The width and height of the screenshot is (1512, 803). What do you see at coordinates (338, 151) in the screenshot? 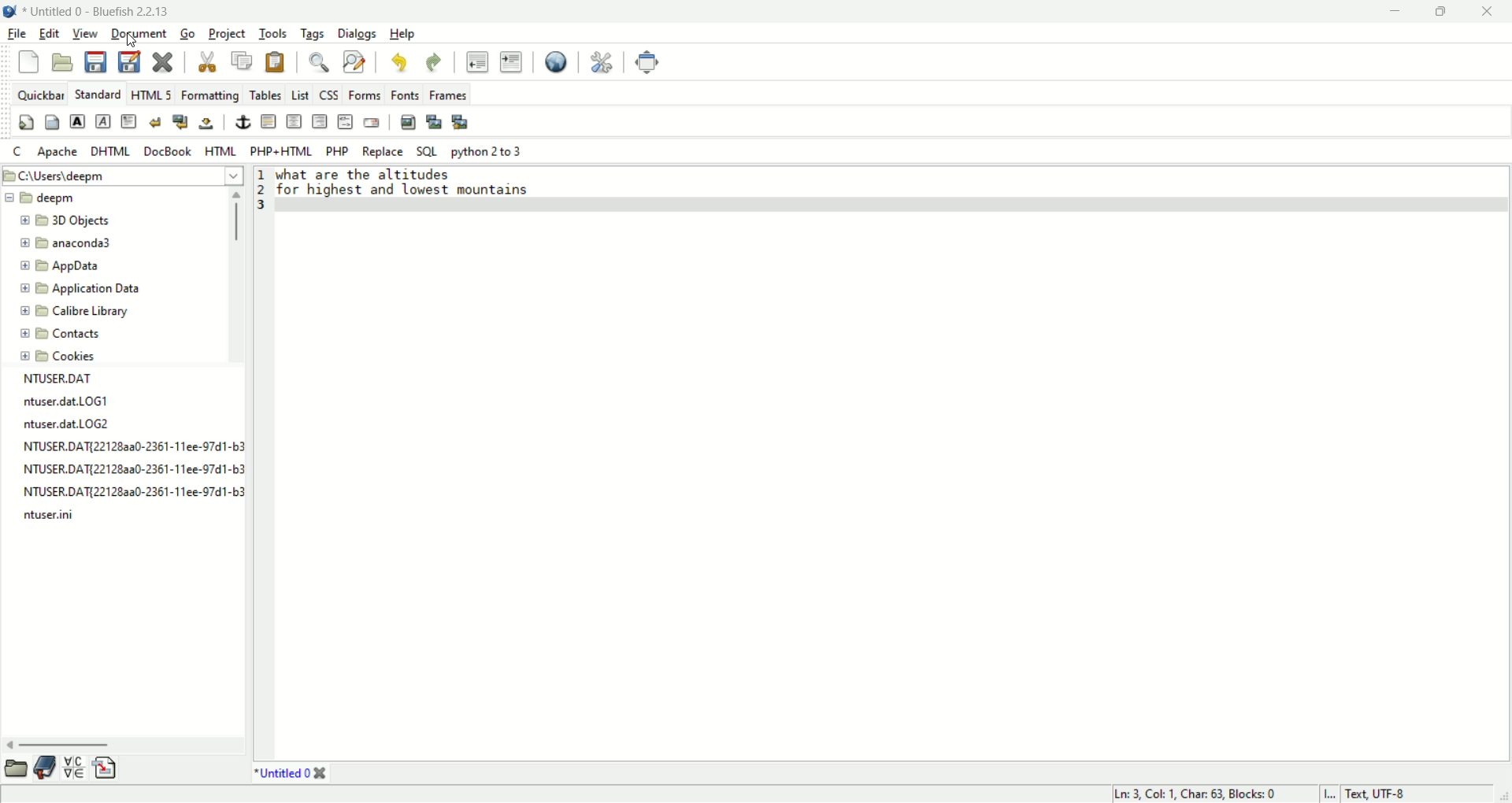
I see `PHP` at bounding box center [338, 151].